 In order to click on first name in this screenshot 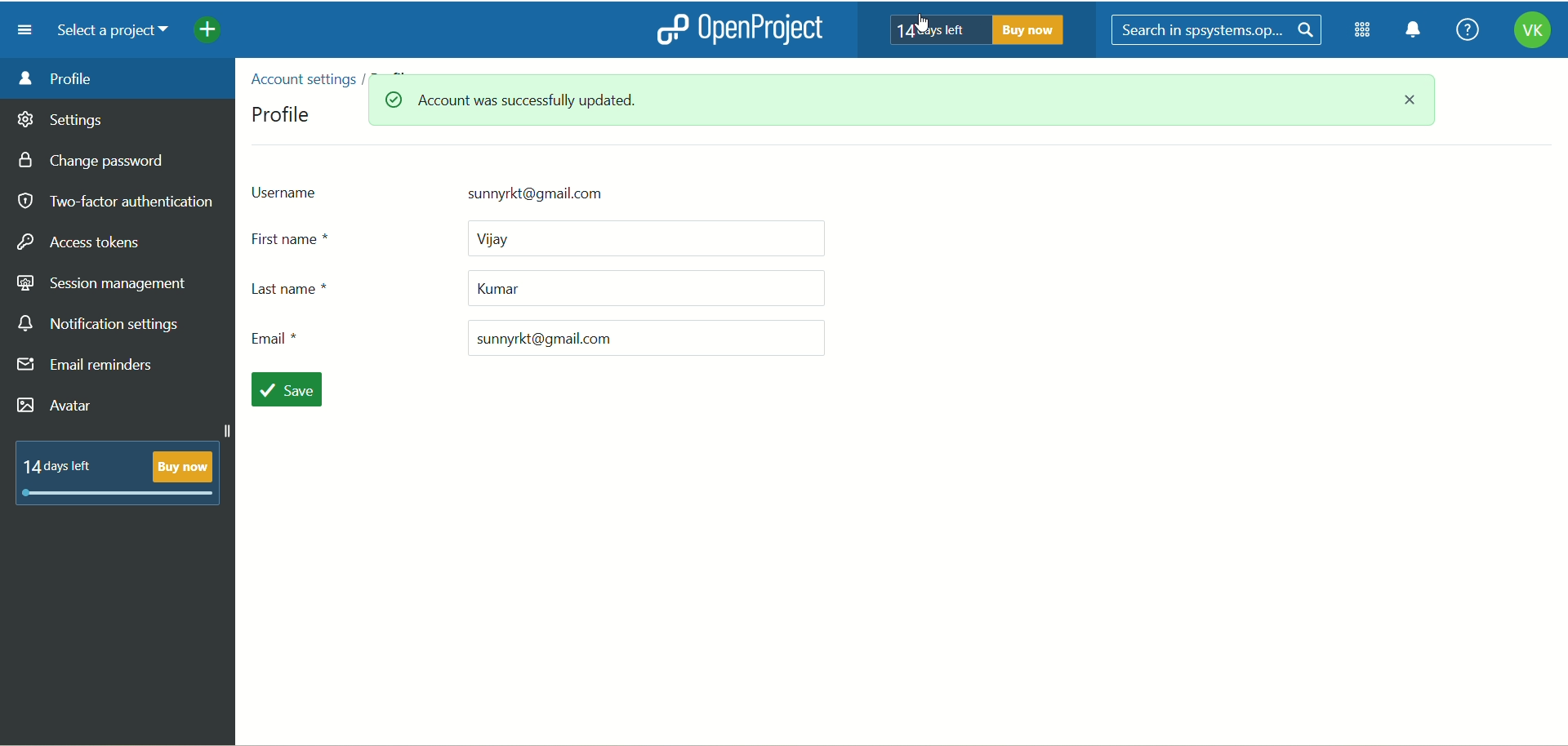, I will do `click(543, 238)`.